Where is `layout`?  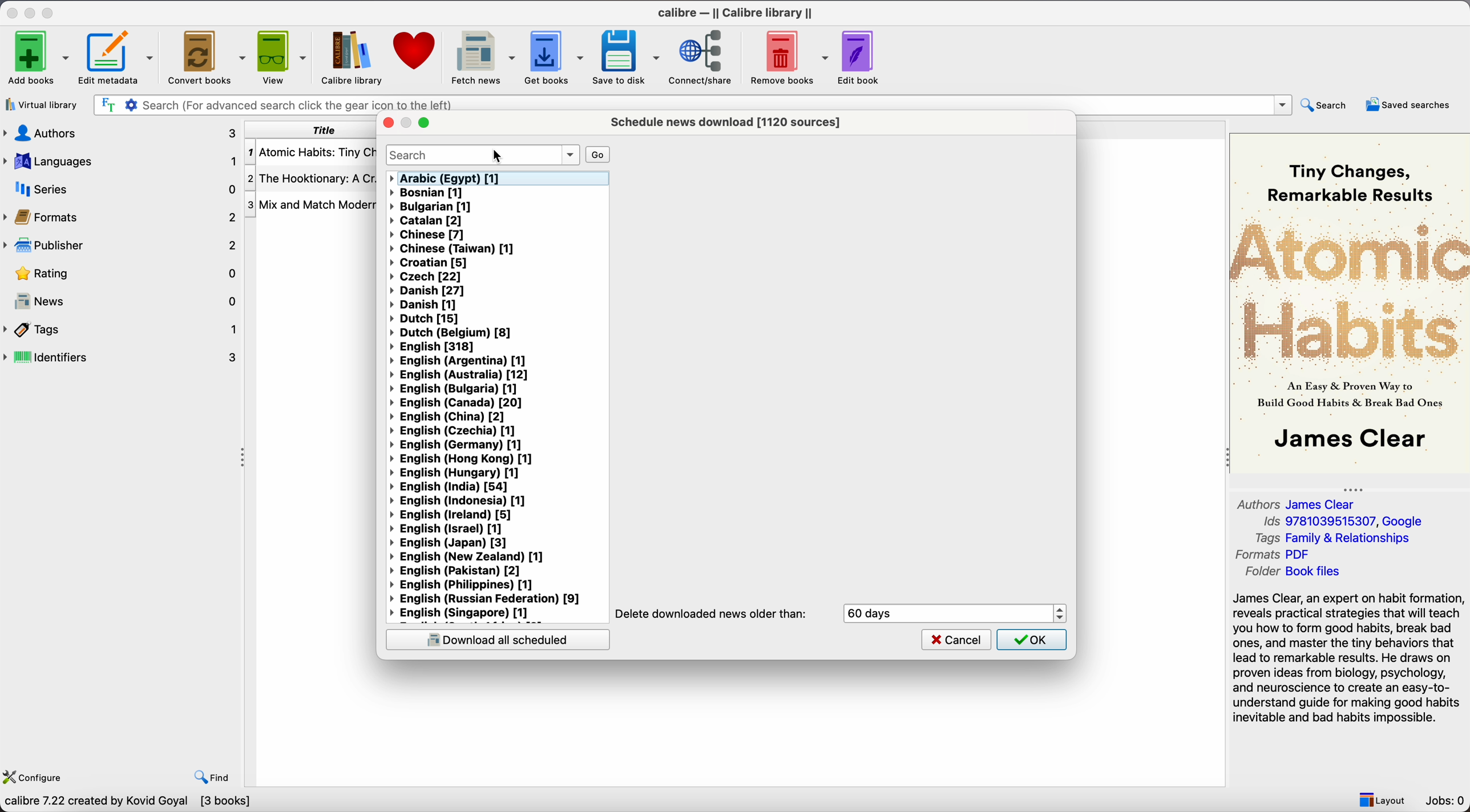
layout is located at coordinates (1381, 798).